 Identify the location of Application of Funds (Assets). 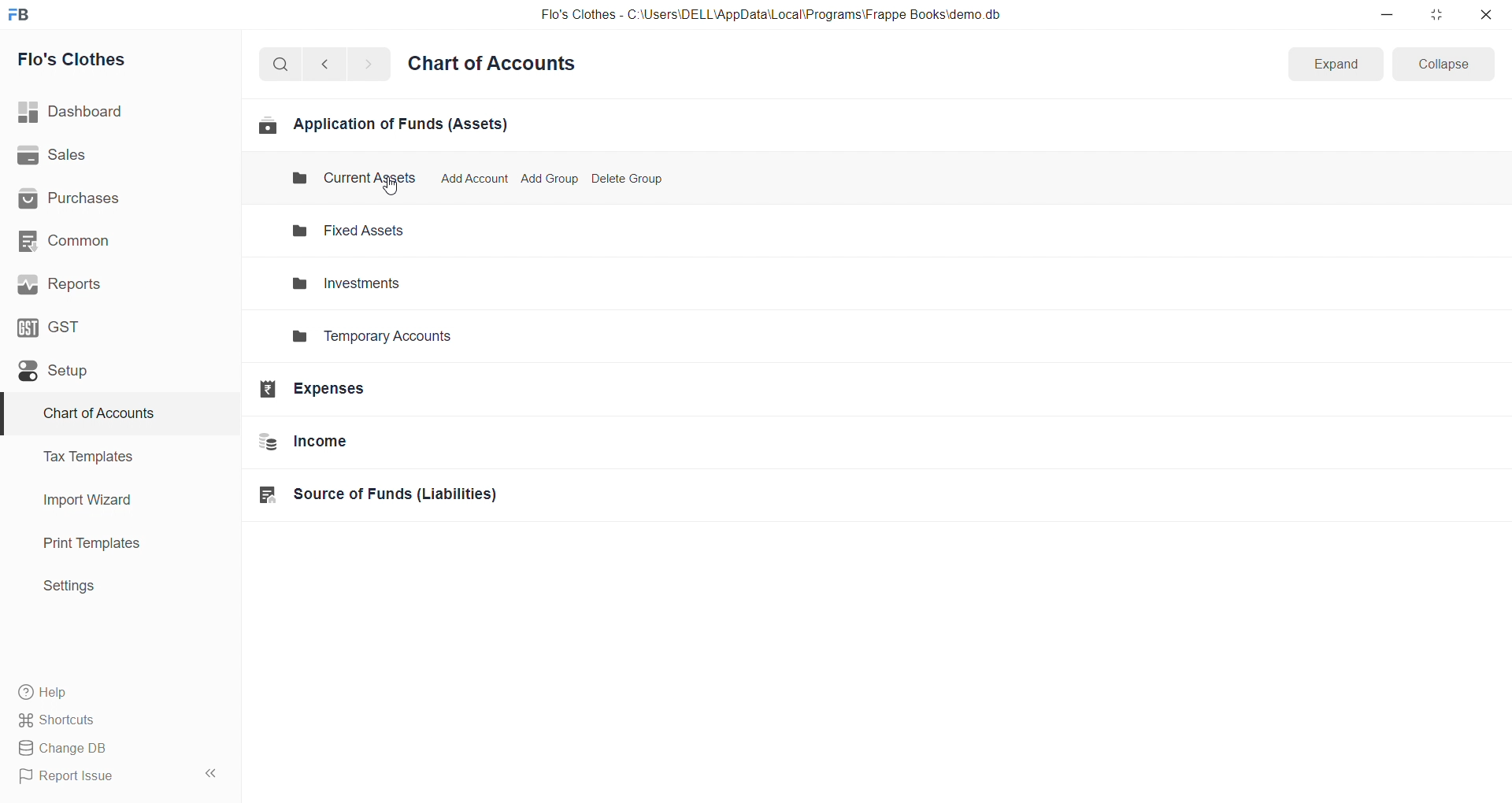
(384, 124).